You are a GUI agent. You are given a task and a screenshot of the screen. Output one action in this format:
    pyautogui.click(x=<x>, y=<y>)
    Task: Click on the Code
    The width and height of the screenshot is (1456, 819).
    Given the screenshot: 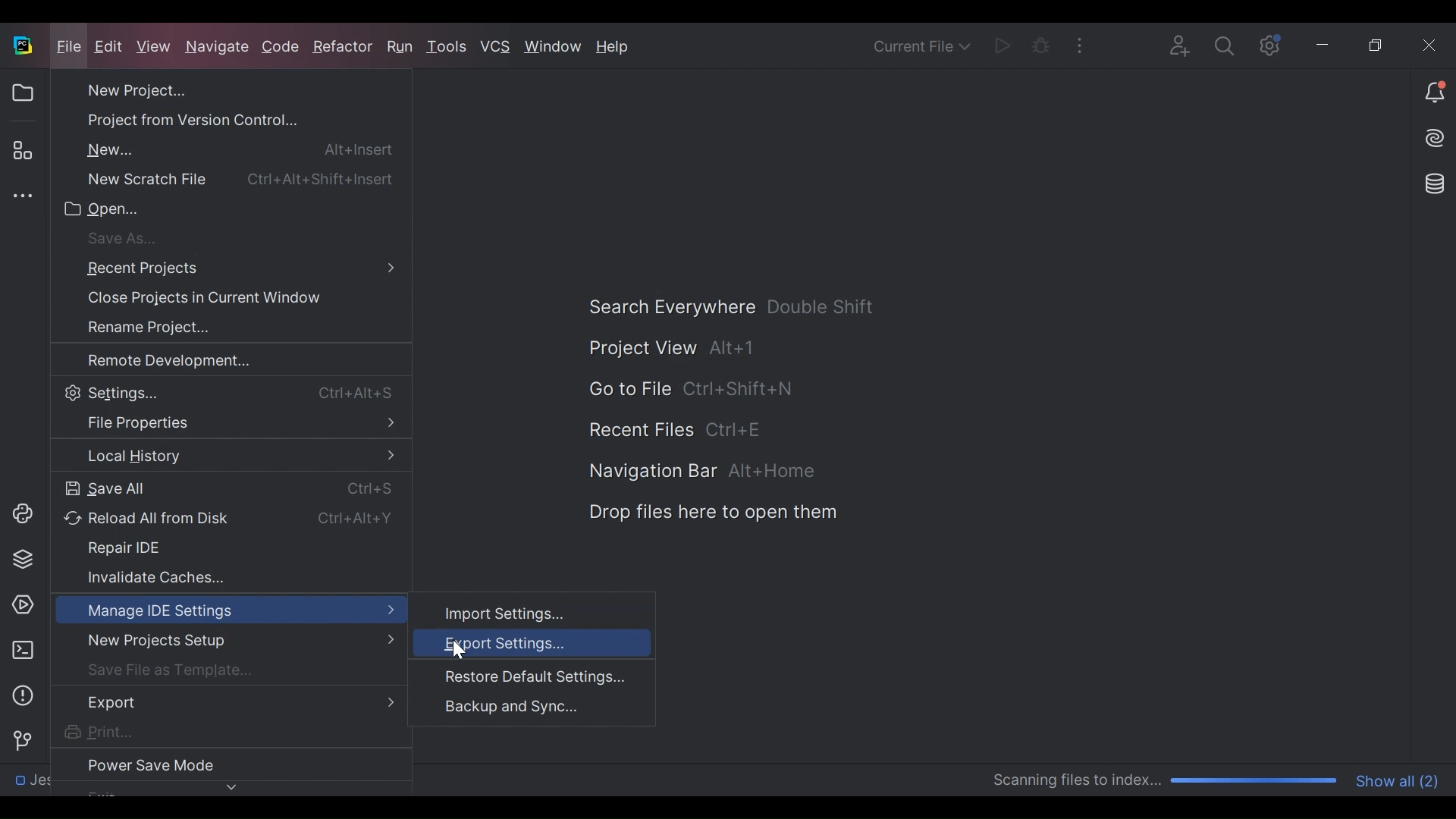 What is the action you would take?
    pyautogui.click(x=282, y=49)
    